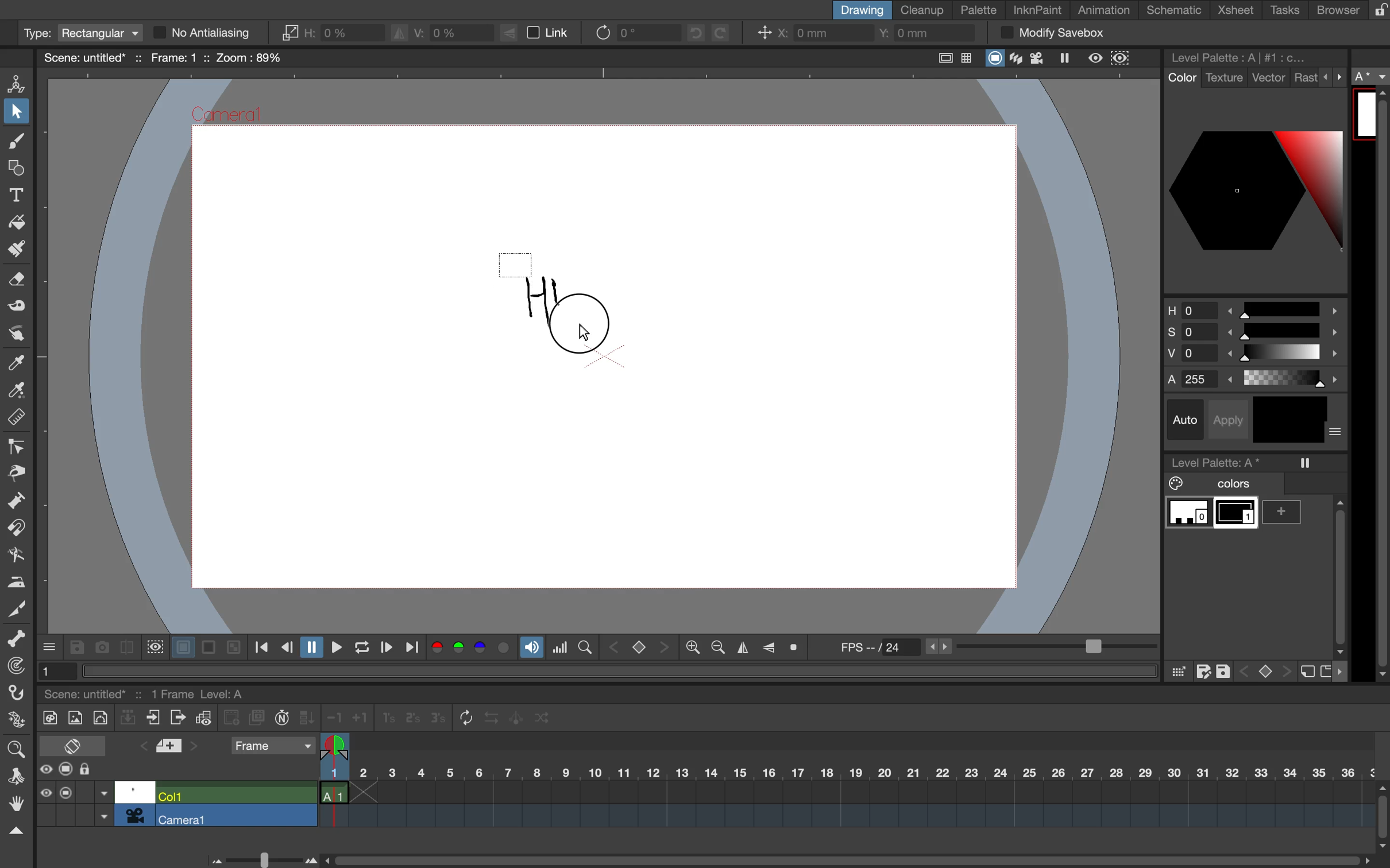 The height and width of the screenshot is (868, 1390). What do you see at coordinates (1380, 385) in the screenshot?
I see `sidebar vertical scroll bar` at bounding box center [1380, 385].